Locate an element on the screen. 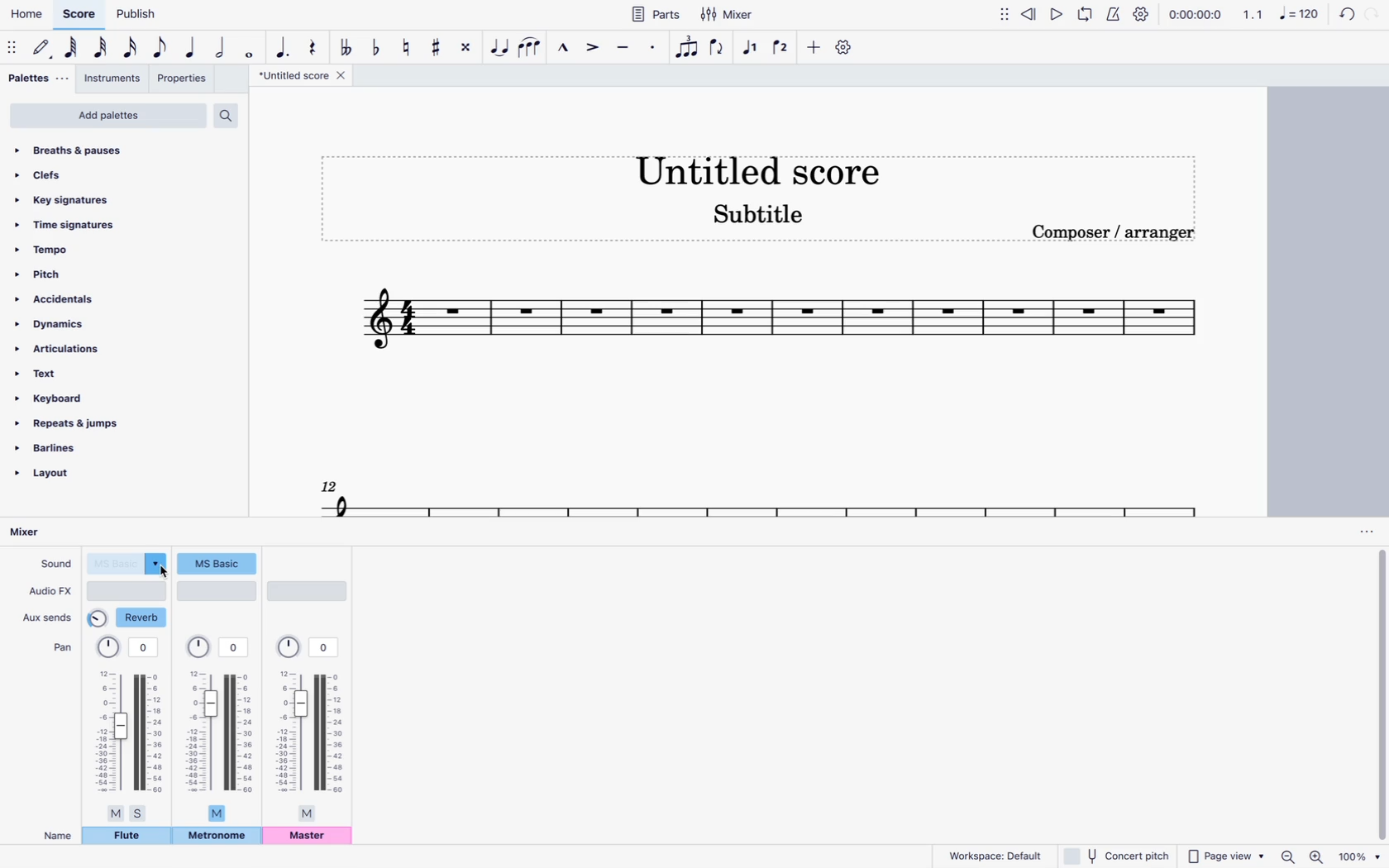 The width and height of the screenshot is (1389, 868). slur is located at coordinates (531, 46).